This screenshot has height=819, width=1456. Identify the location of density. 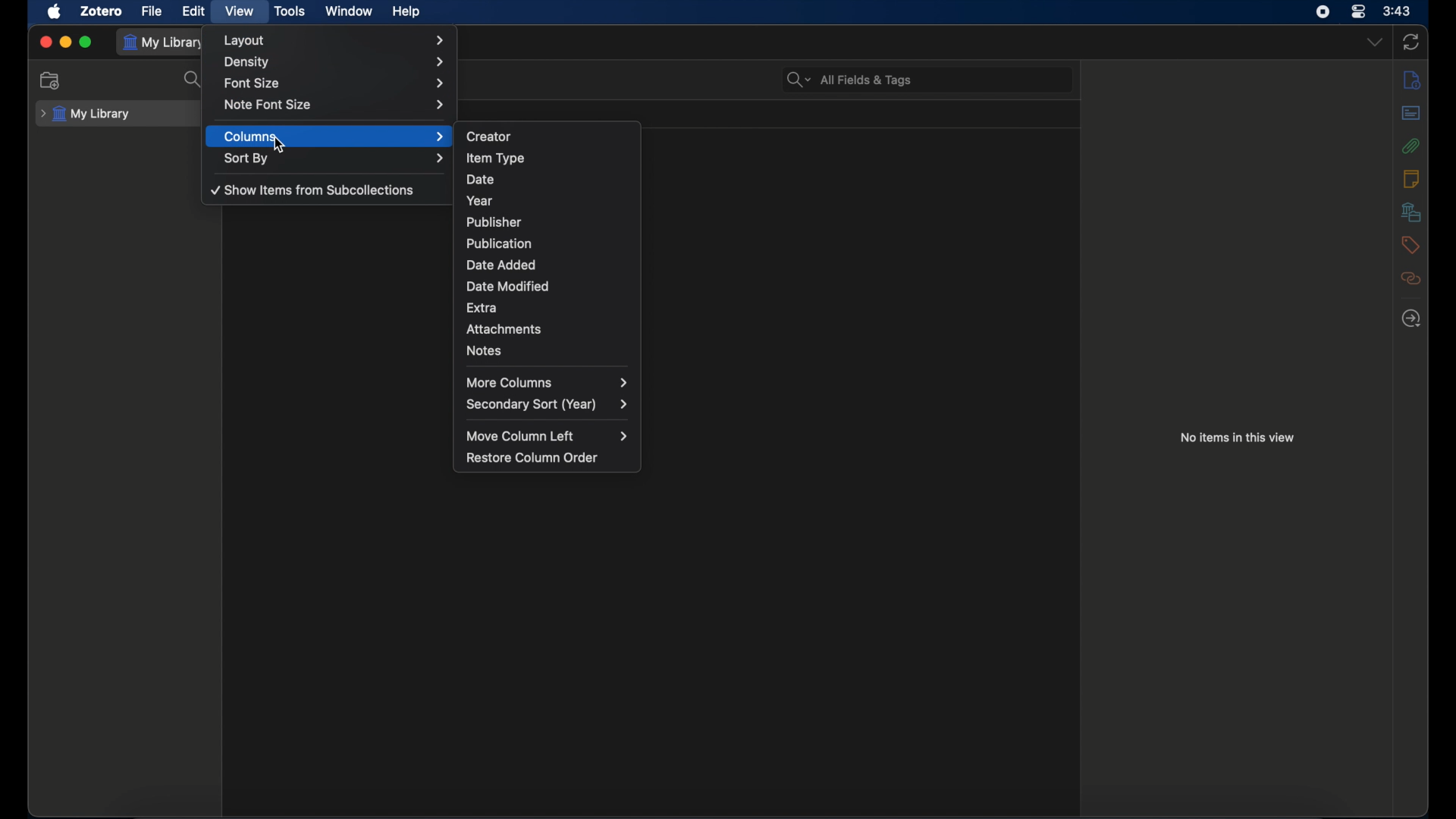
(336, 62).